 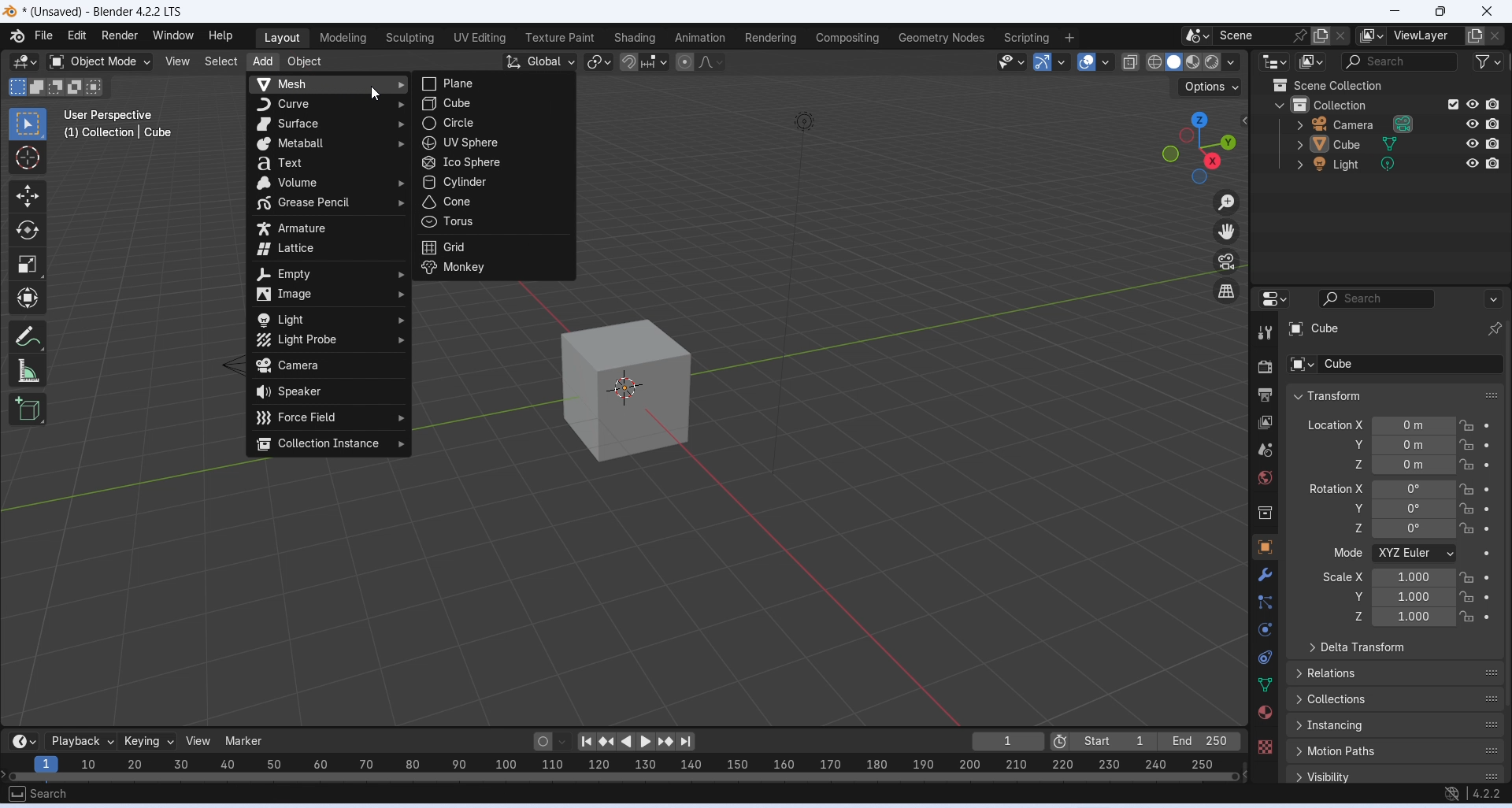 What do you see at coordinates (491, 103) in the screenshot?
I see `cube` at bounding box center [491, 103].